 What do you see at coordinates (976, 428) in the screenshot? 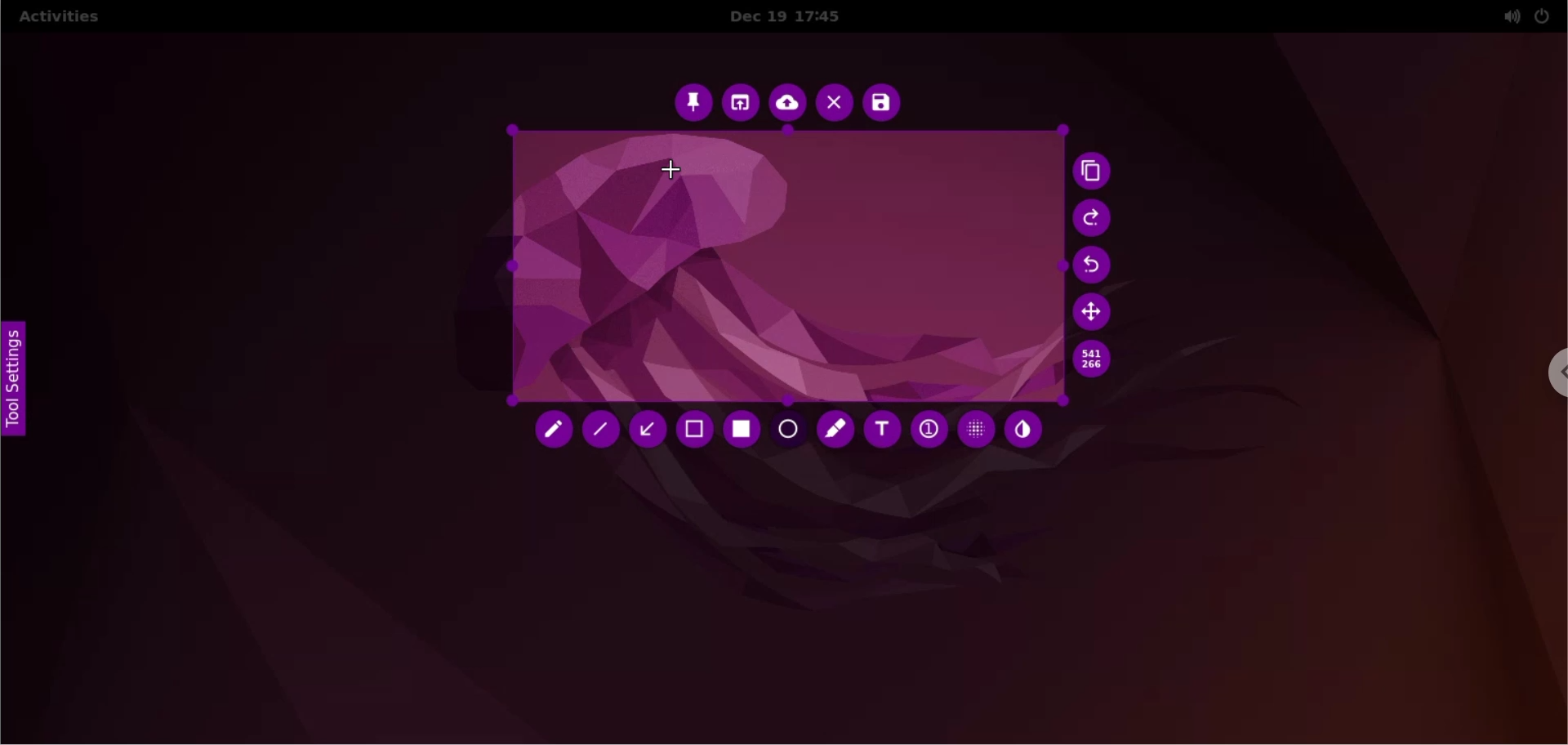
I see `pixelette` at bounding box center [976, 428].